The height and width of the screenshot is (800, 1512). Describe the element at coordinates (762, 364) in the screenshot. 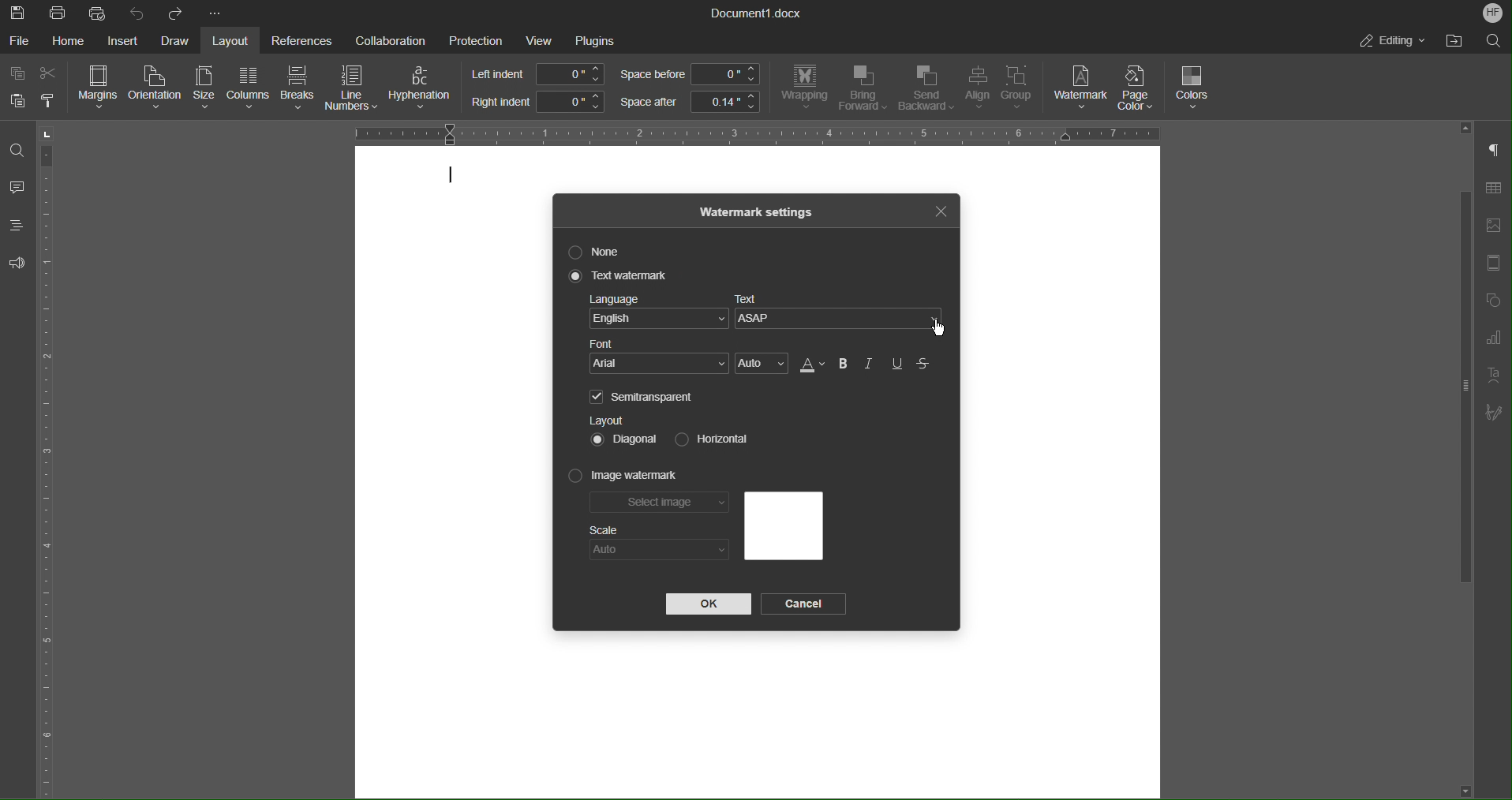

I see `Auto` at that location.